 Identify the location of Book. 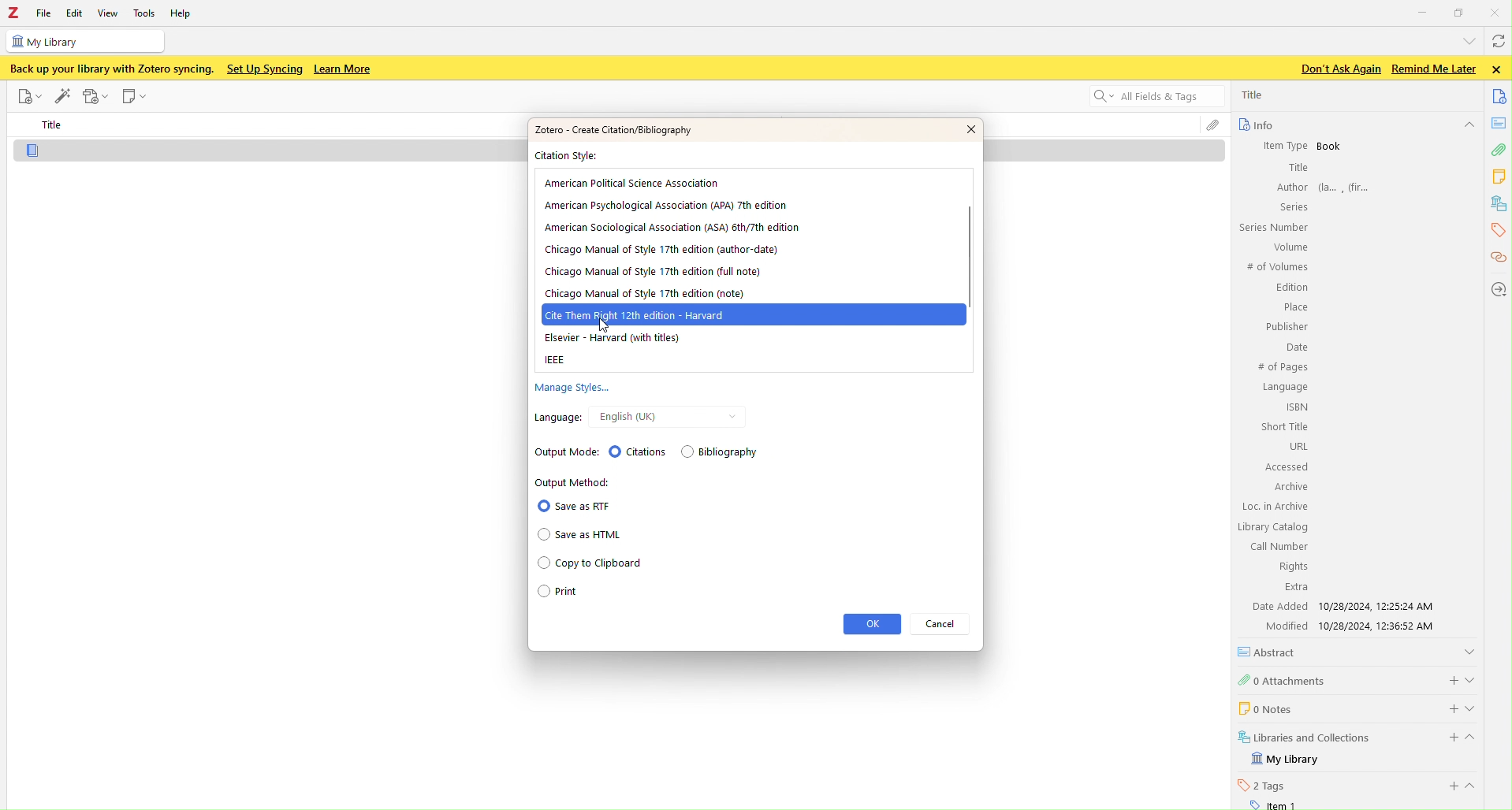
(1330, 147).